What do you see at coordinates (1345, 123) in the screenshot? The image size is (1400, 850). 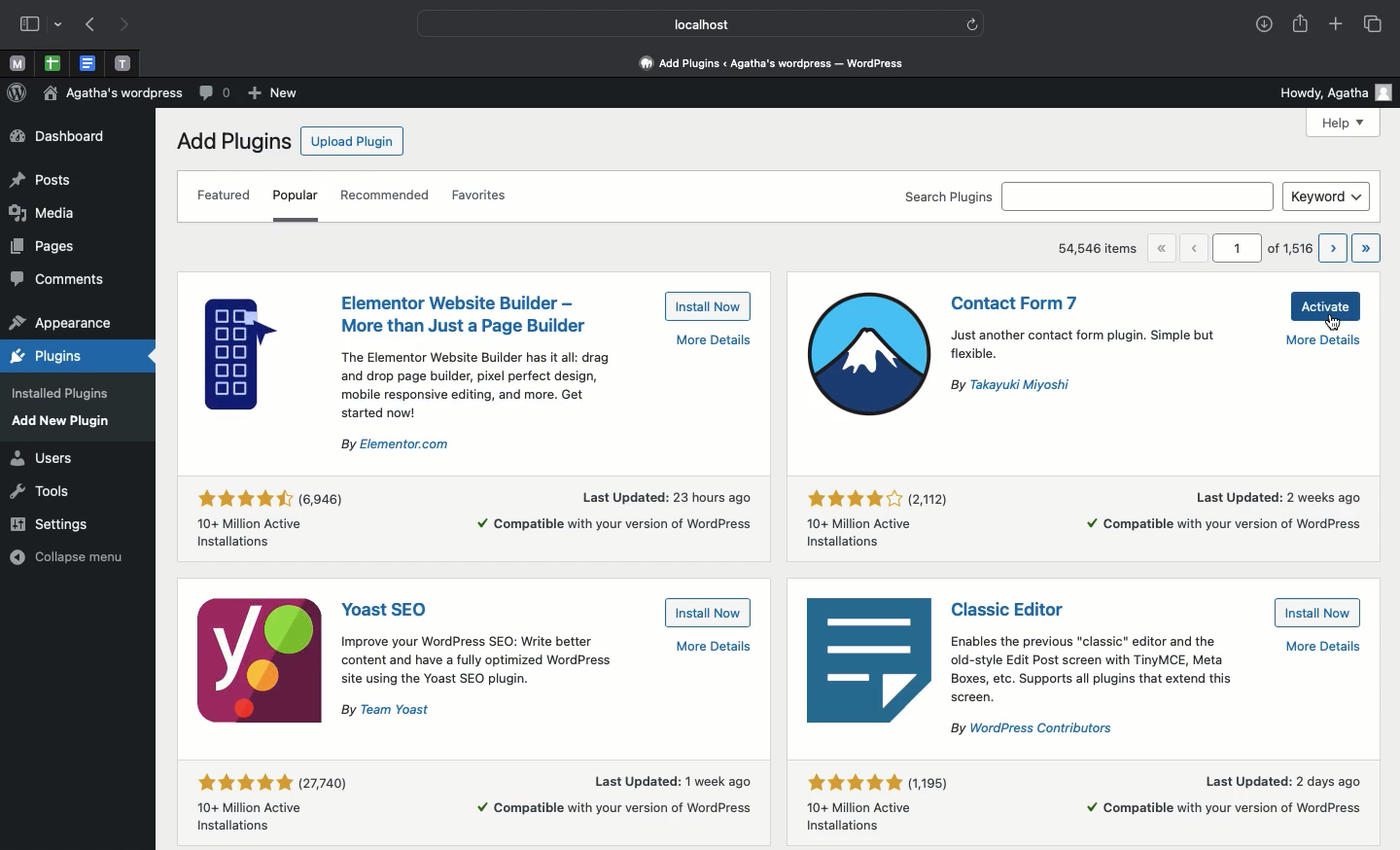 I see `Help` at bounding box center [1345, 123].